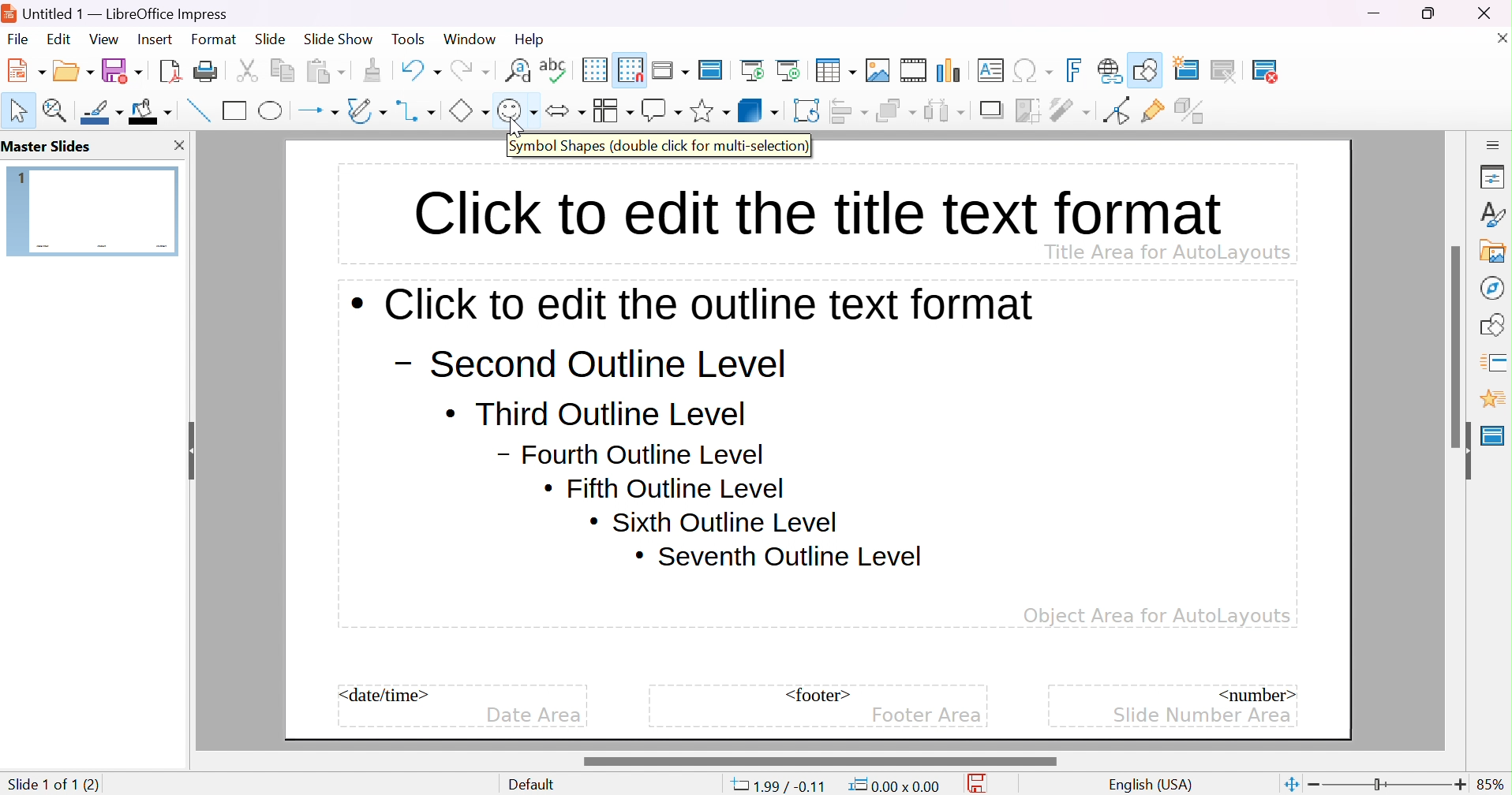  Describe the element at coordinates (1275, 71) in the screenshot. I see `delete slide` at that location.